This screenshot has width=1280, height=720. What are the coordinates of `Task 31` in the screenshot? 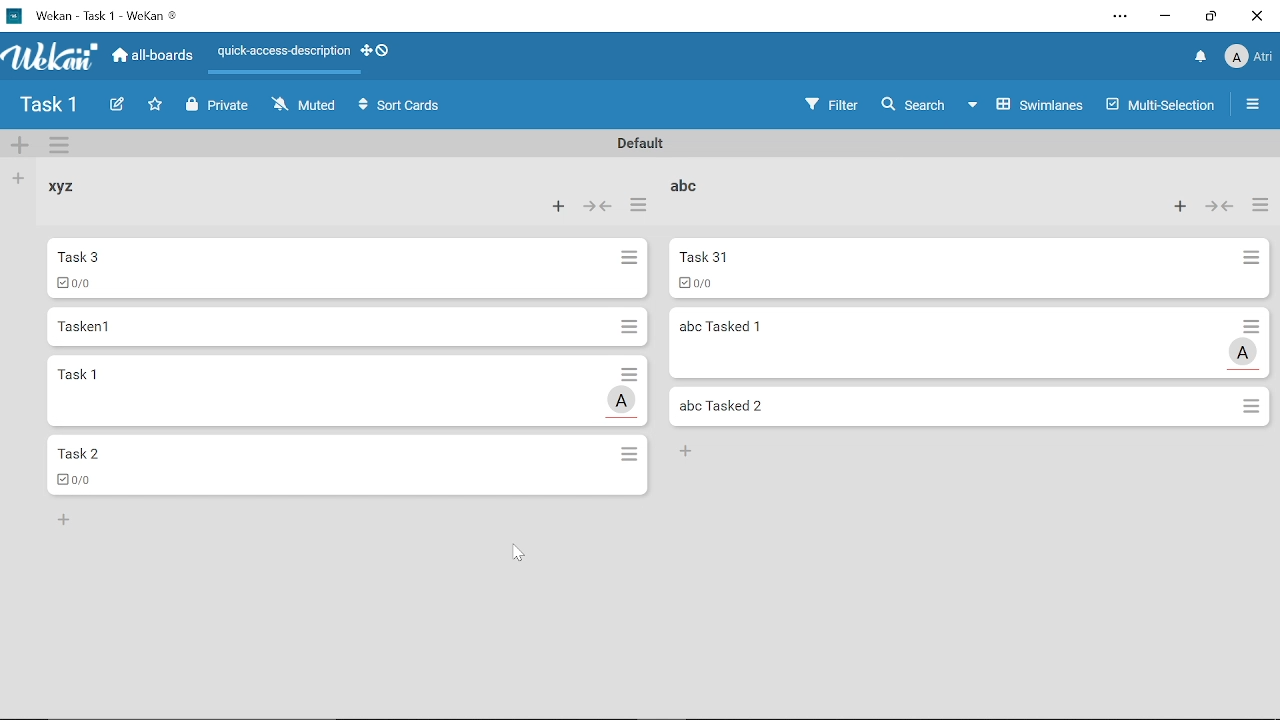 It's located at (968, 268).